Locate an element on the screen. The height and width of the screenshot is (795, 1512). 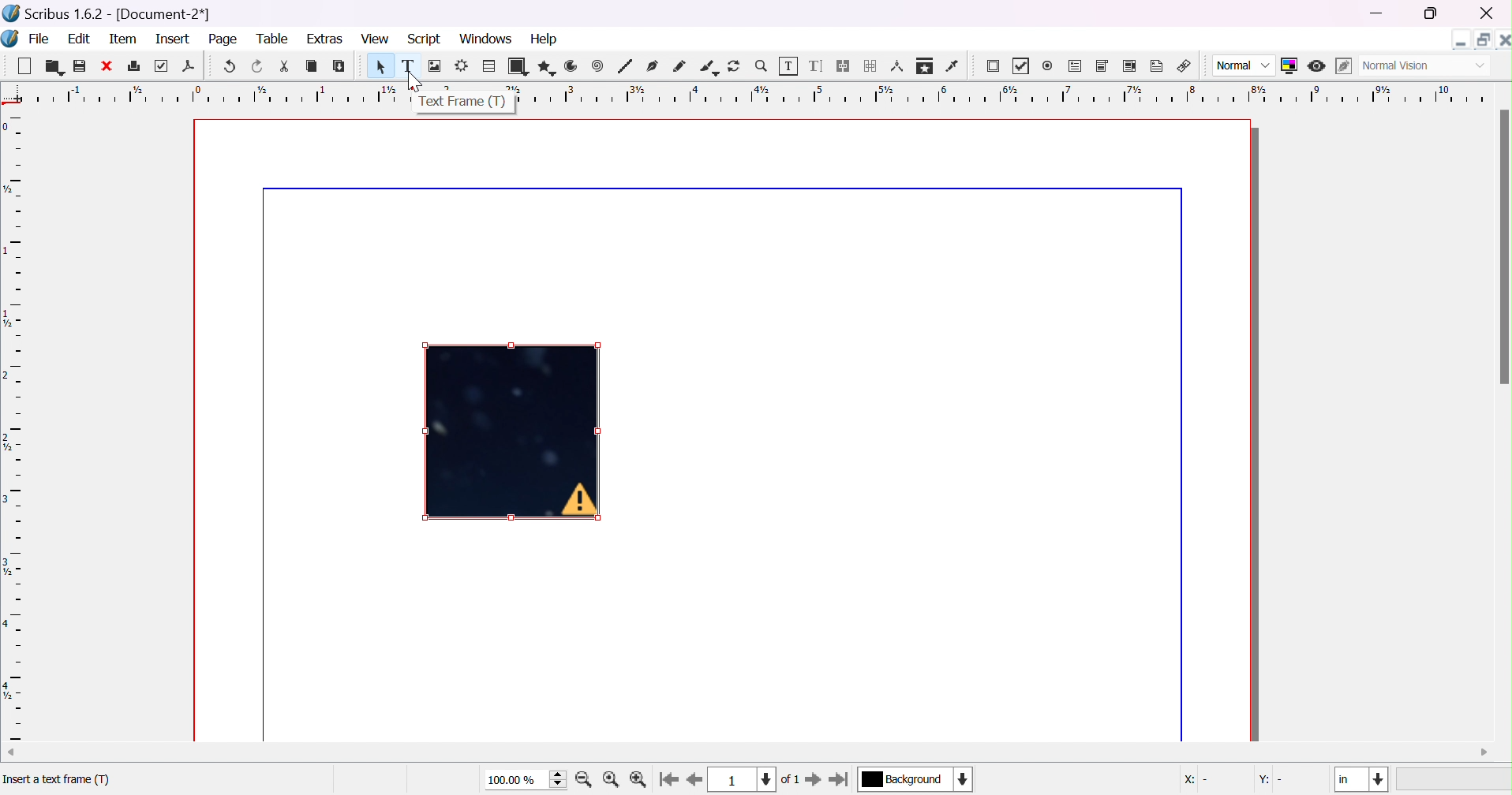
paste is located at coordinates (339, 65).